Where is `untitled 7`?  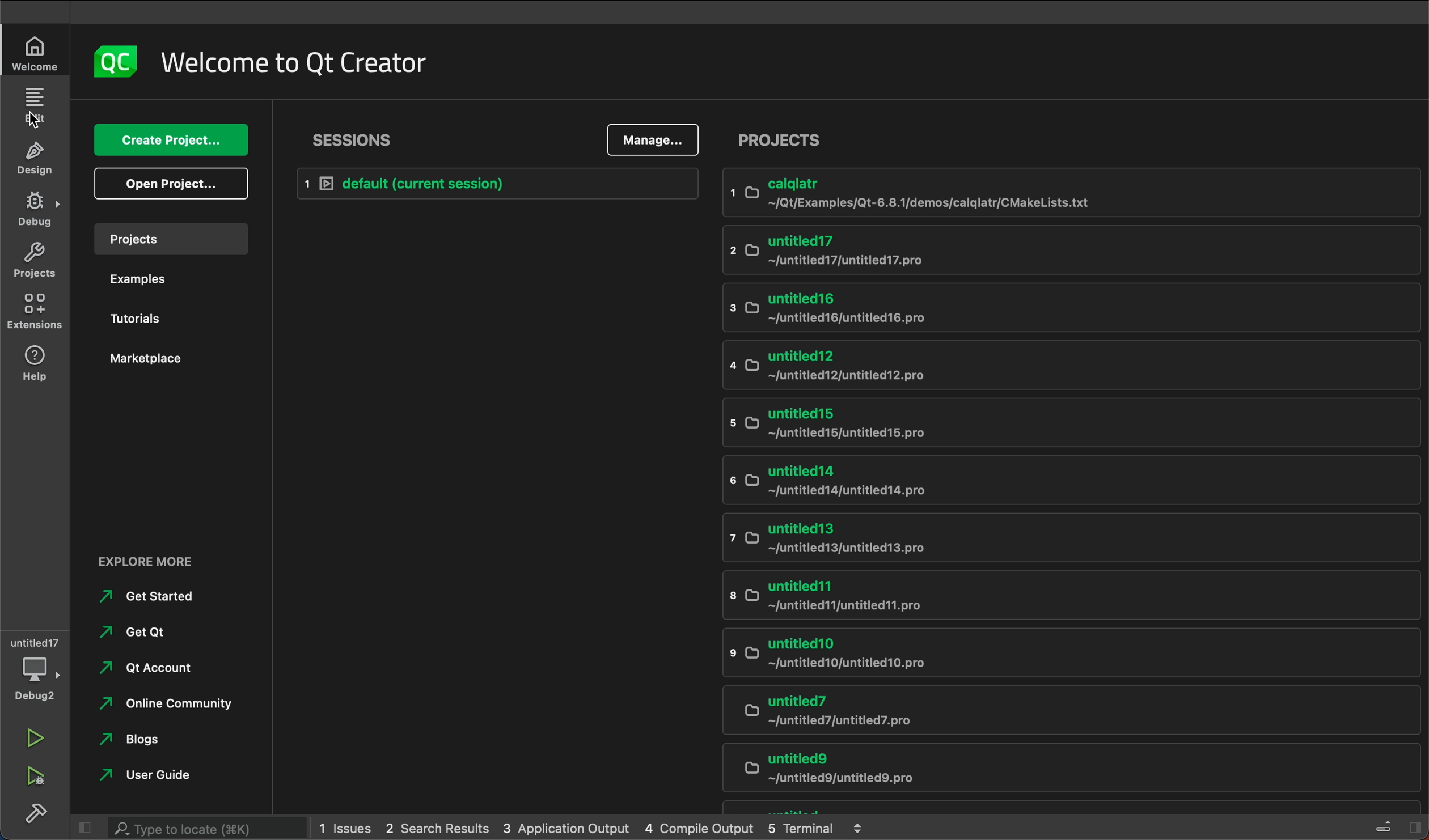 untitled 7 is located at coordinates (1051, 710).